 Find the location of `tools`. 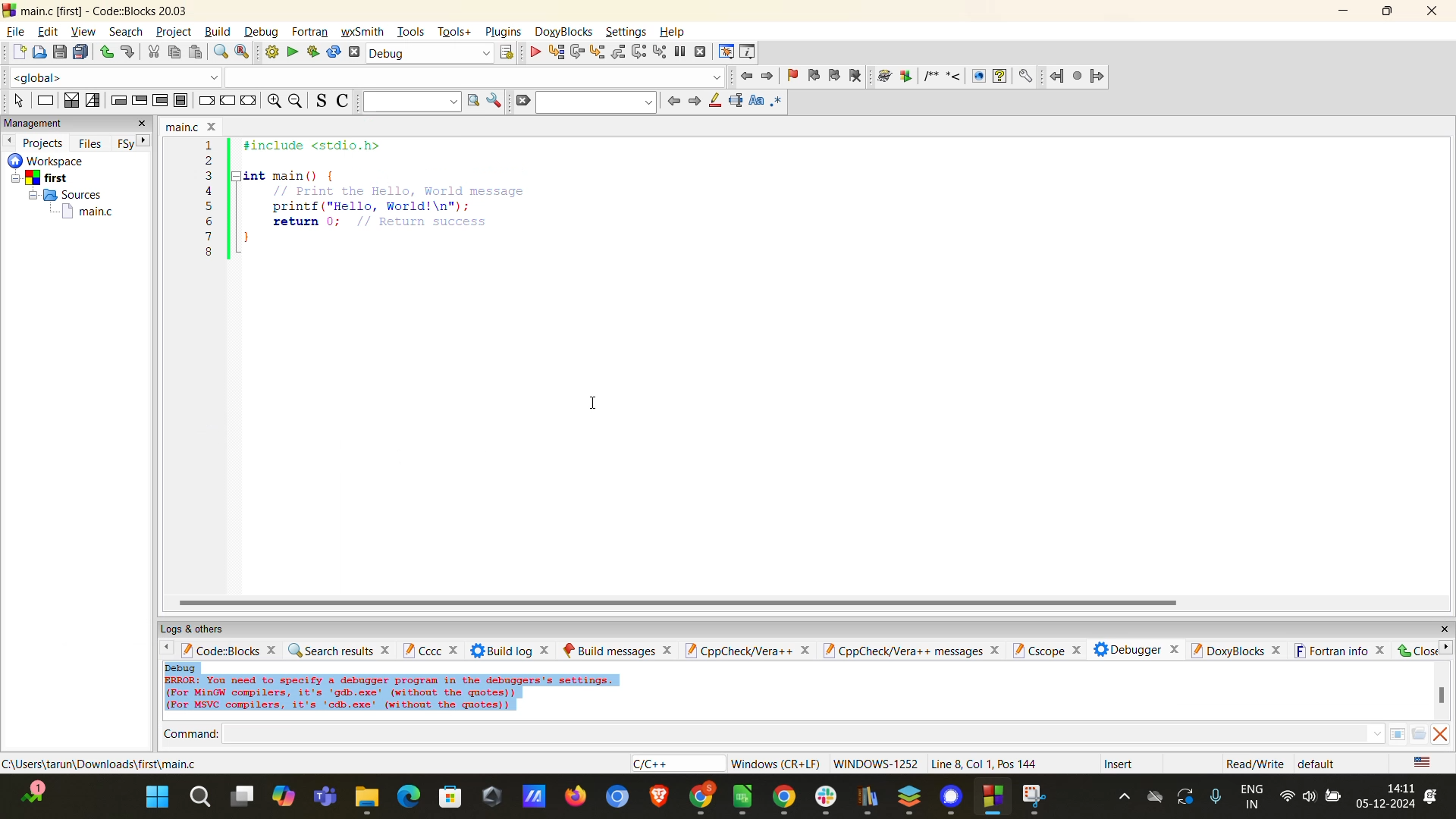

tools is located at coordinates (410, 30).